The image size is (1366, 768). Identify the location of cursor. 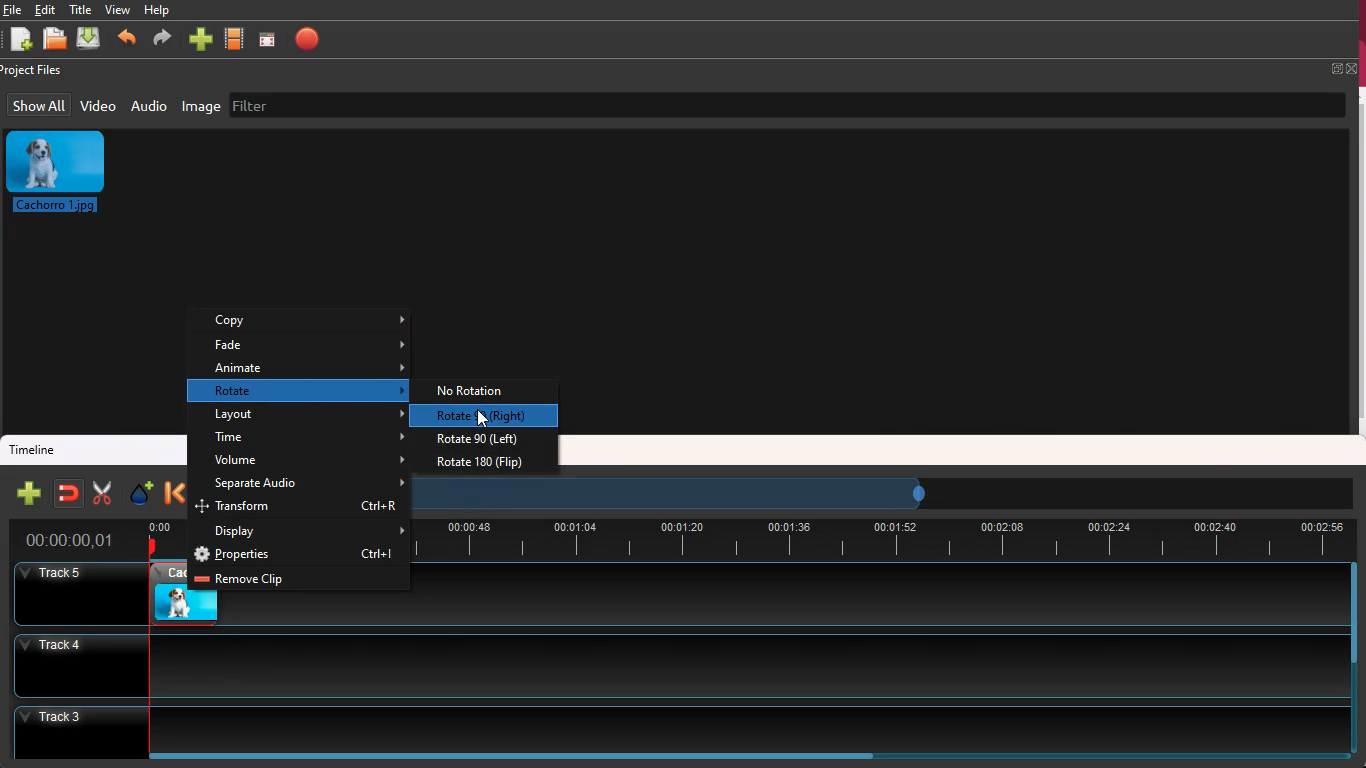
(489, 417).